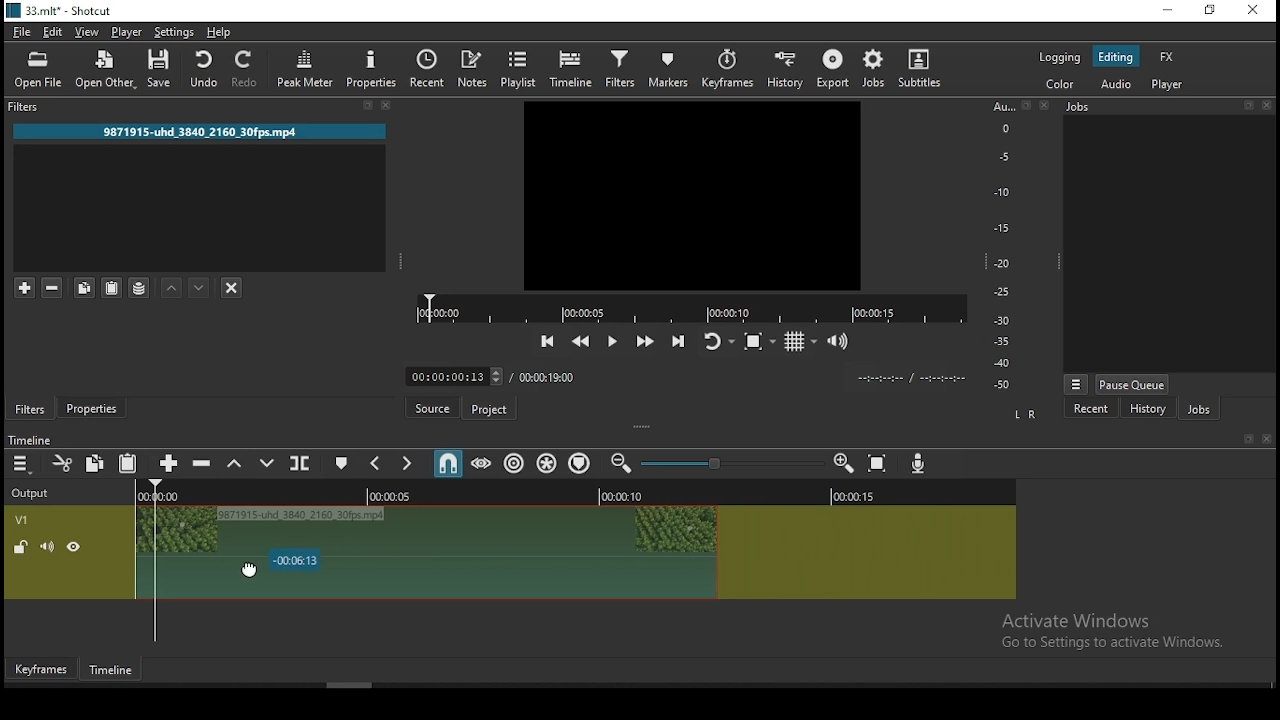 The height and width of the screenshot is (720, 1280). Describe the element at coordinates (171, 463) in the screenshot. I see `append` at that location.